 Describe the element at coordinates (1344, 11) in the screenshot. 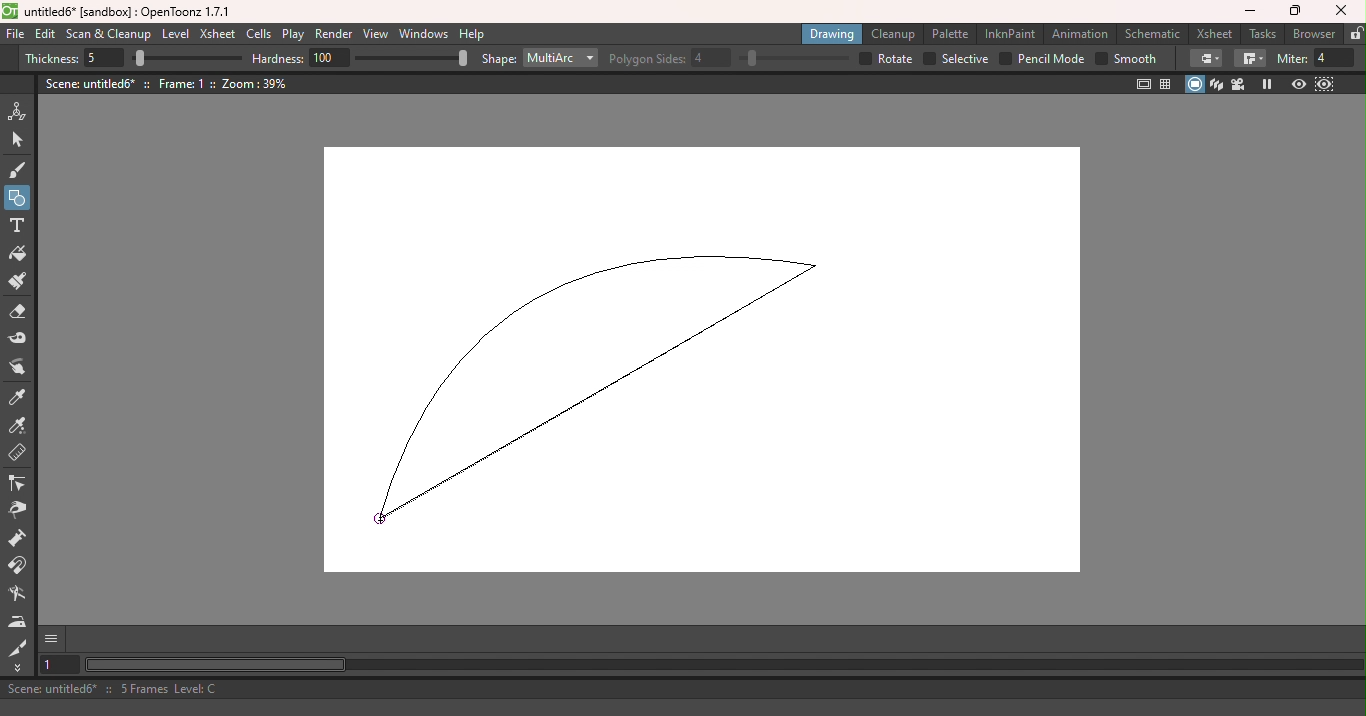

I see `Close` at that location.